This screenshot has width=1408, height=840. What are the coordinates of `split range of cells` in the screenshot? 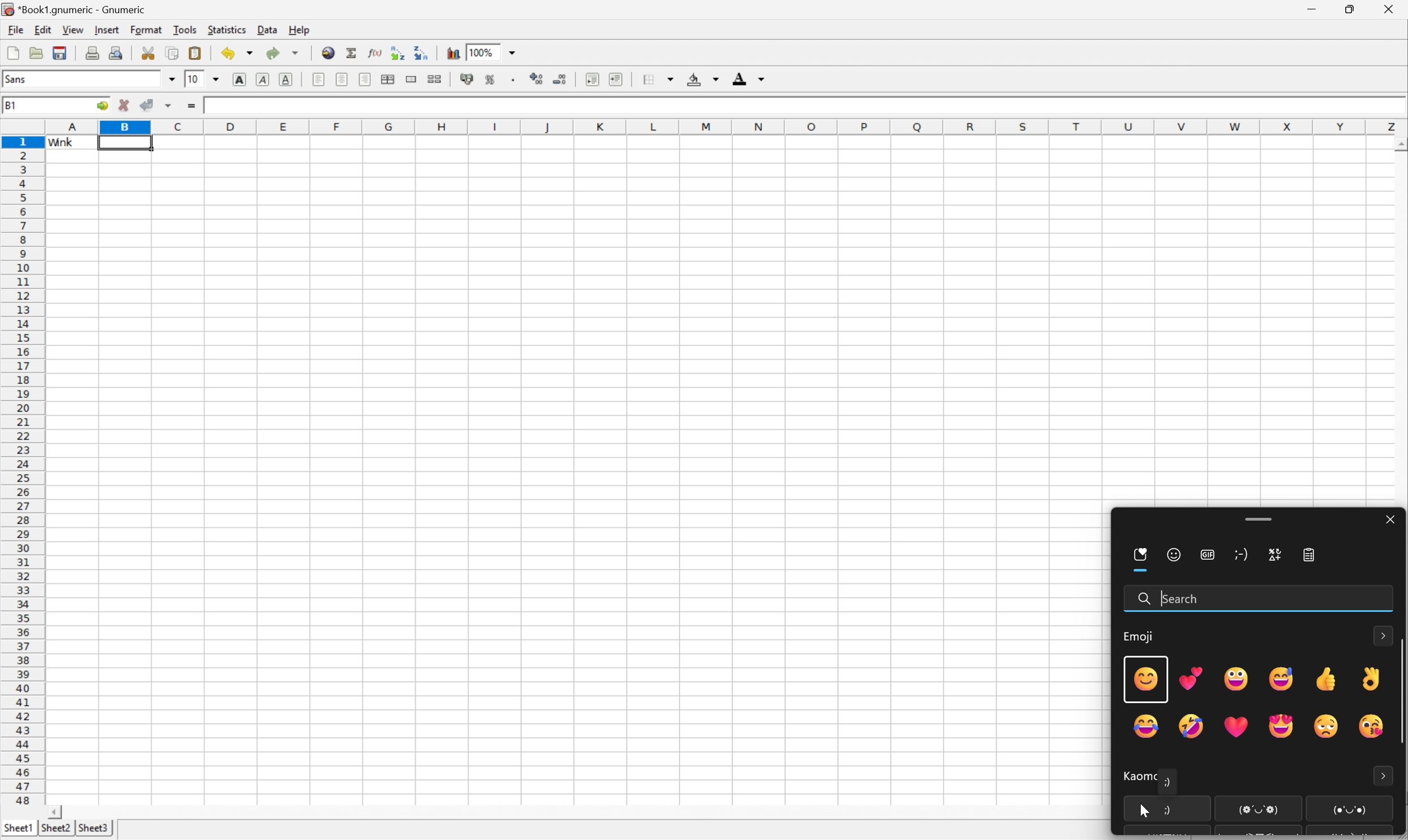 It's located at (413, 79).